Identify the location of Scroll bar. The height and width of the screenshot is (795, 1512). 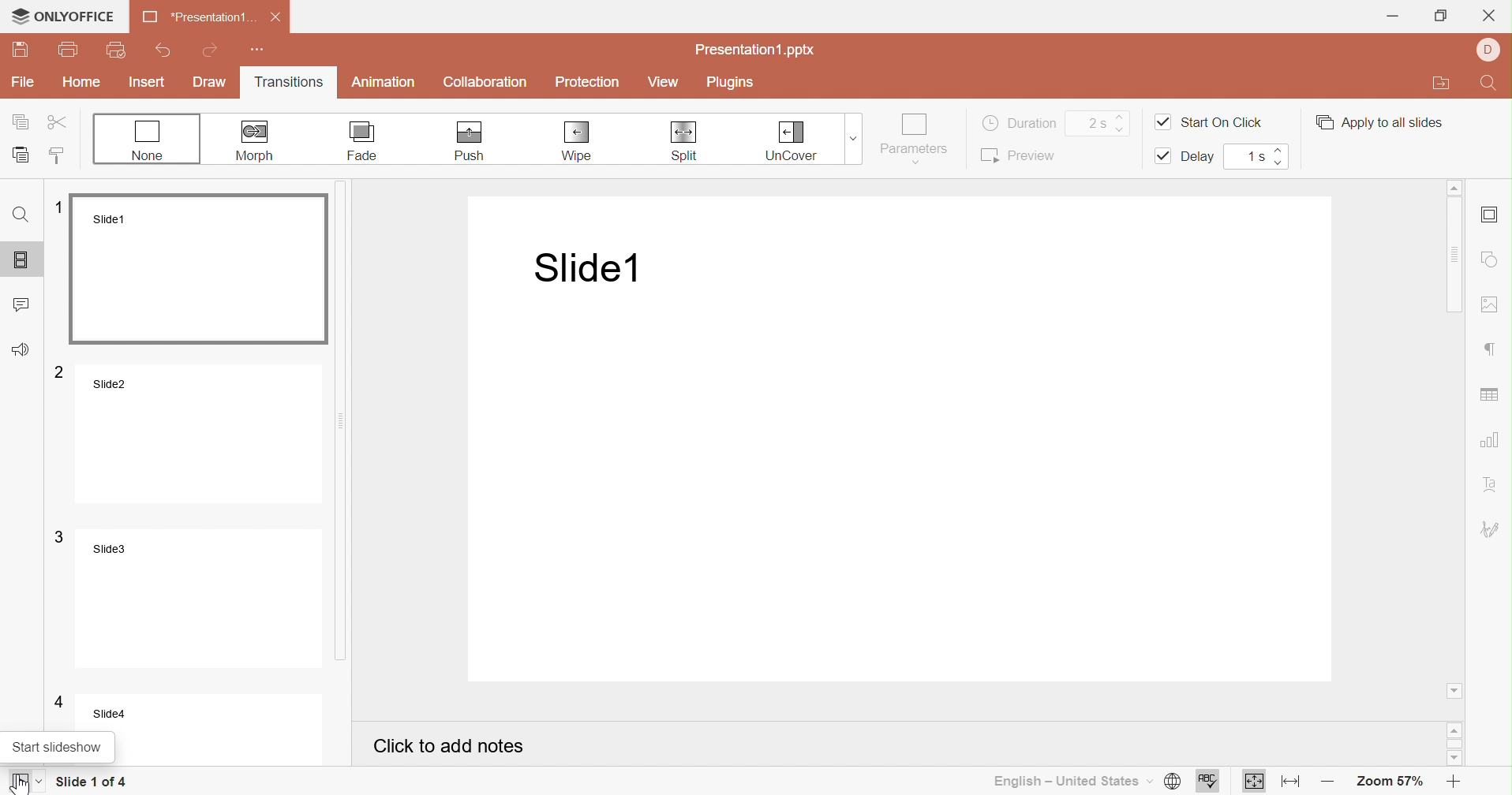
(1454, 746).